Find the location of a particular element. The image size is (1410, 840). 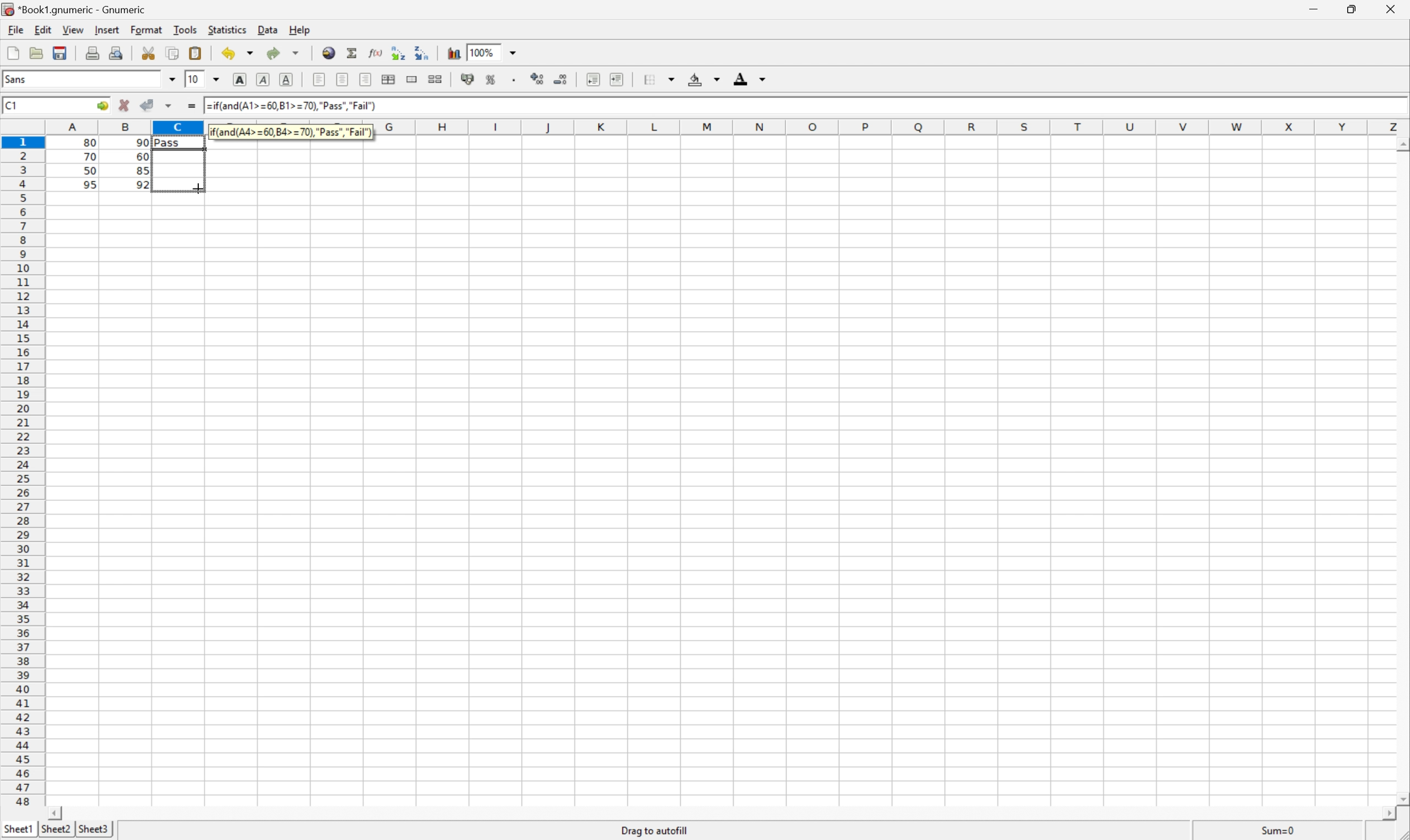

Create a new workbook is located at coordinates (12, 50).